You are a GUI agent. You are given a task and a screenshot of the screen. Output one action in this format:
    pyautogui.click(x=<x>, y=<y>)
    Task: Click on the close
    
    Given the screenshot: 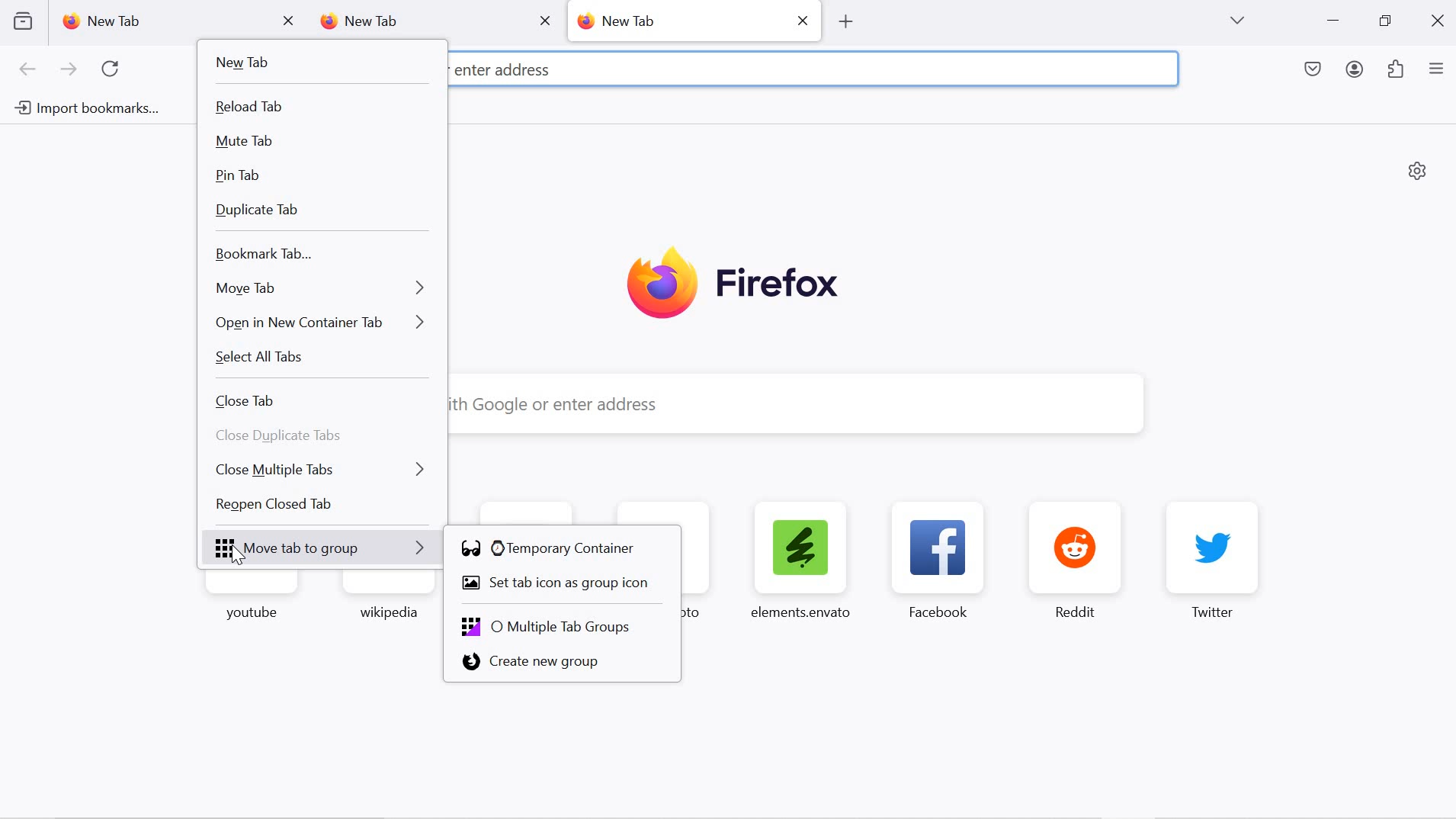 What is the action you would take?
    pyautogui.click(x=805, y=19)
    